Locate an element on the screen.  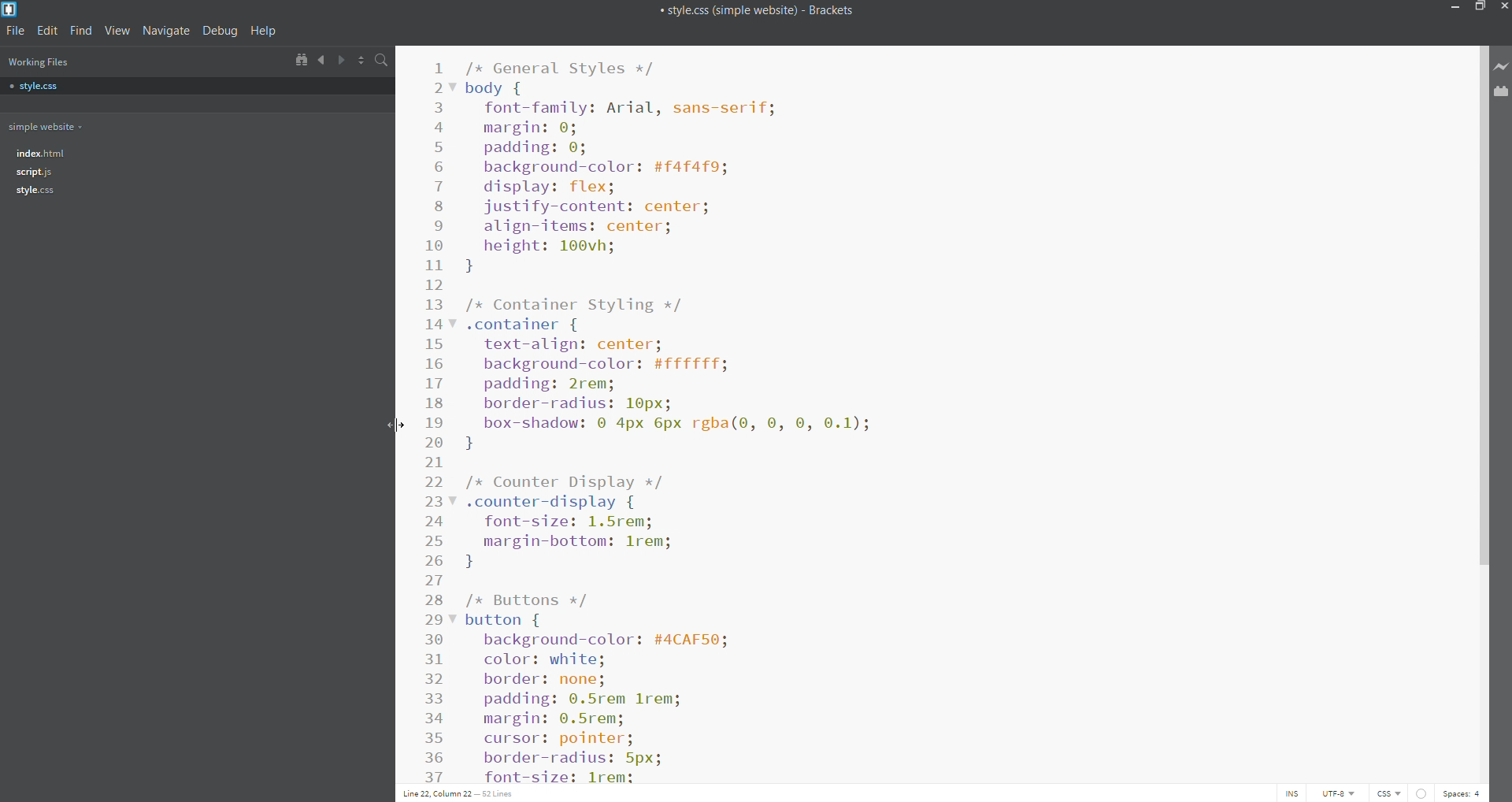
Navigate is located at coordinates (168, 32).